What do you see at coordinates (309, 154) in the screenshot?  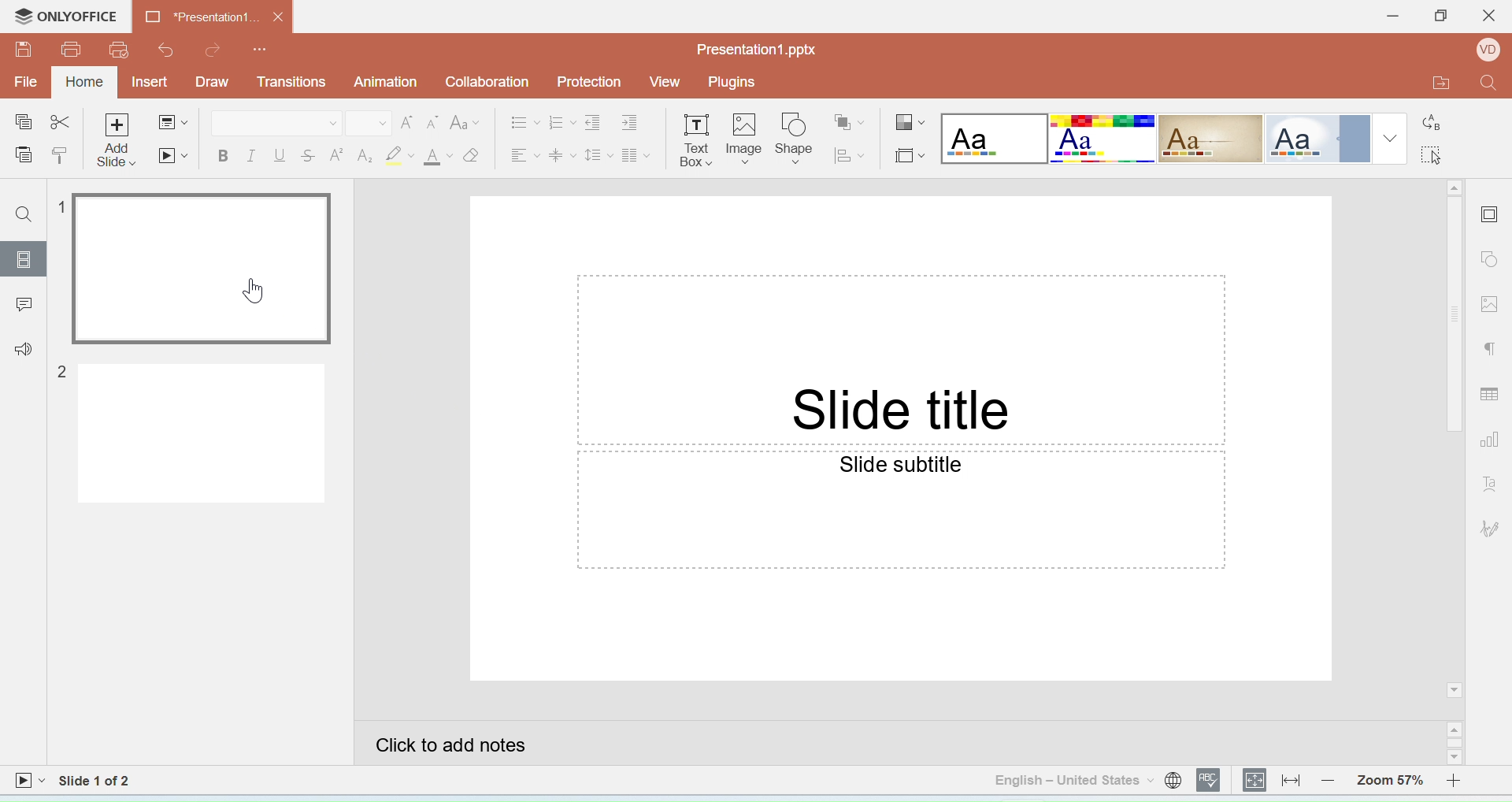 I see `Strikethrough` at bounding box center [309, 154].